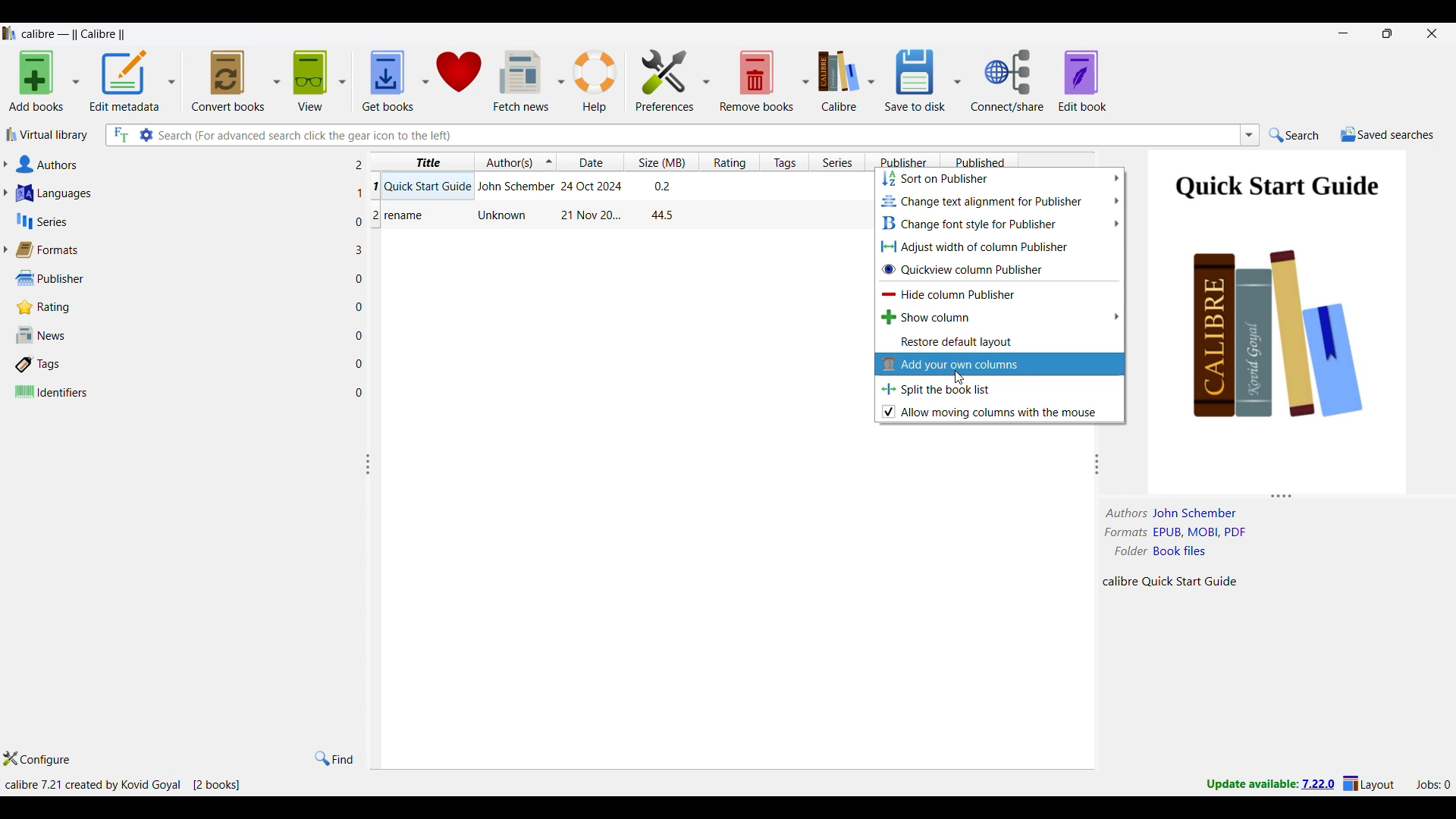 This screenshot has width=1456, height=819. Describe the element at coordinates (1000, 389) in the screenshot. I see `Split the book list` at that location.